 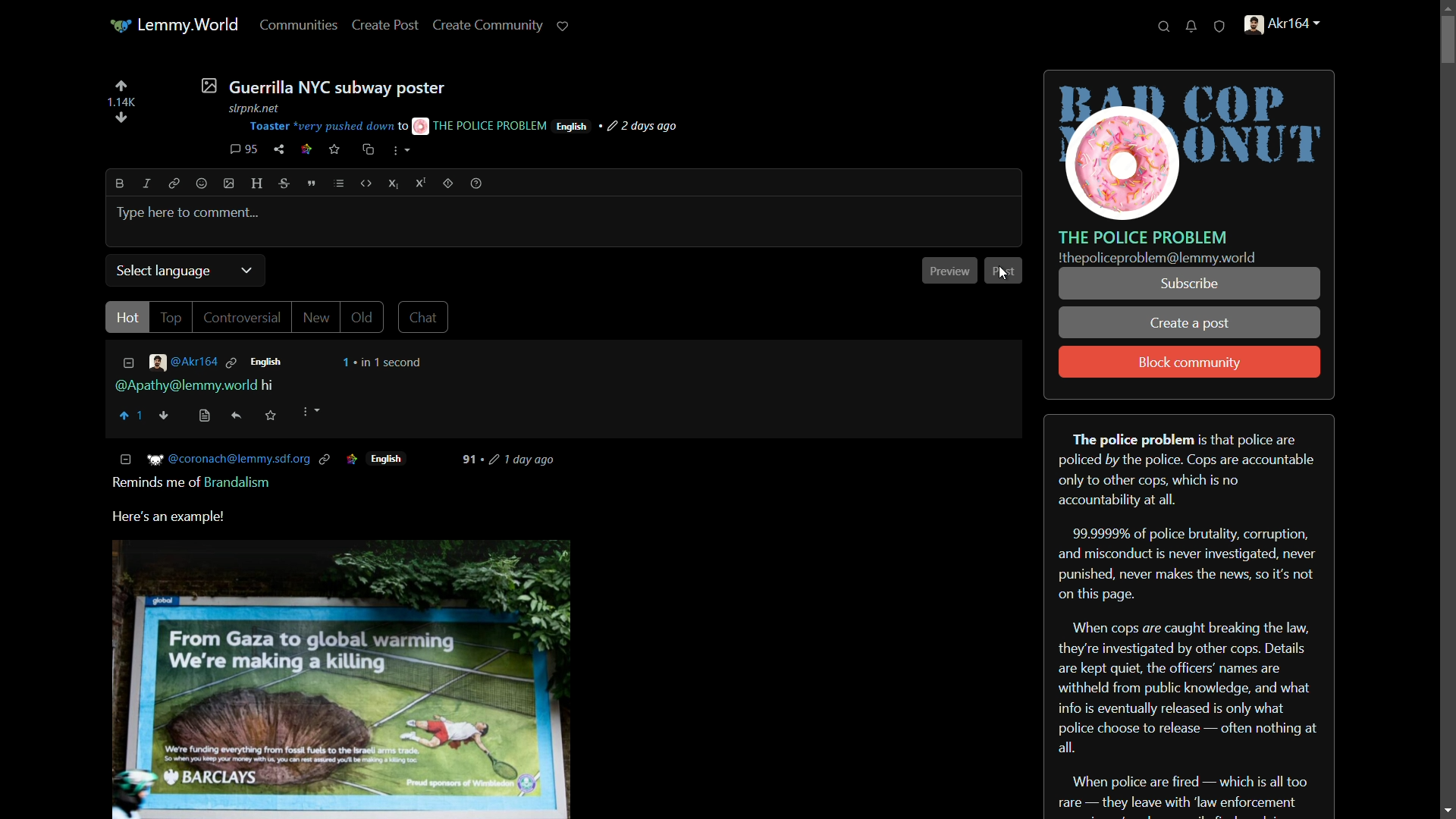 I want to click on more options, so click(x=401, y=152).